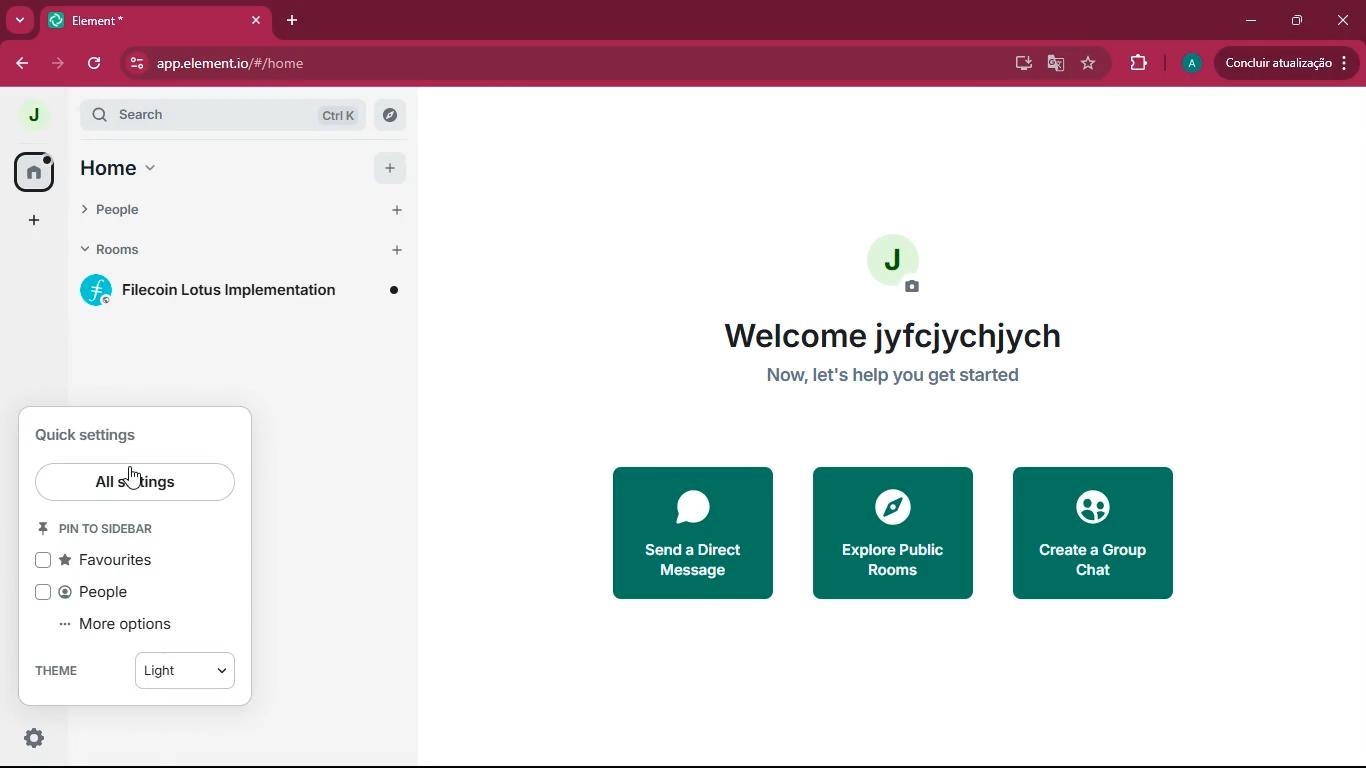  What do you see at coordinates (897, 263) in the screenshot?
I see `profile picture` at bounding box center [897, 263].